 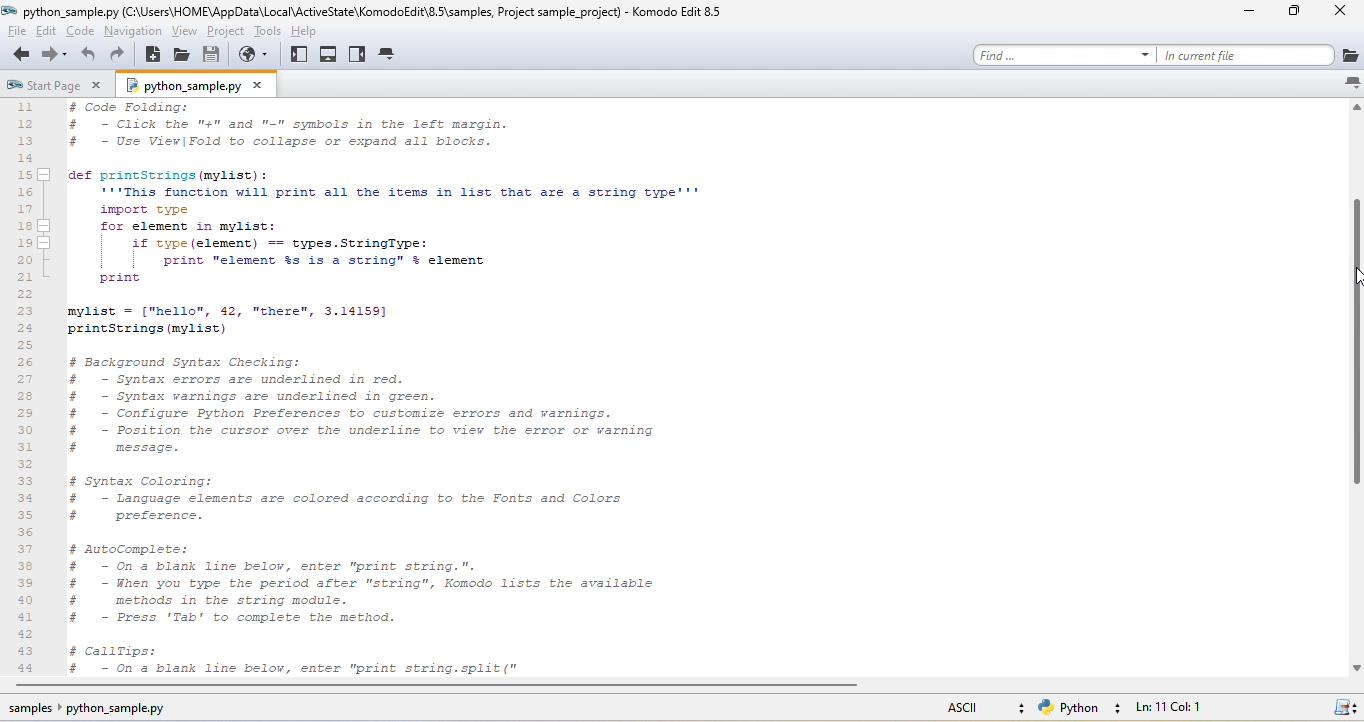 What do you see at coordinates (454, 390) in the screenshot?
I see `code edit or wth python code` at bounding box center [454, 390].